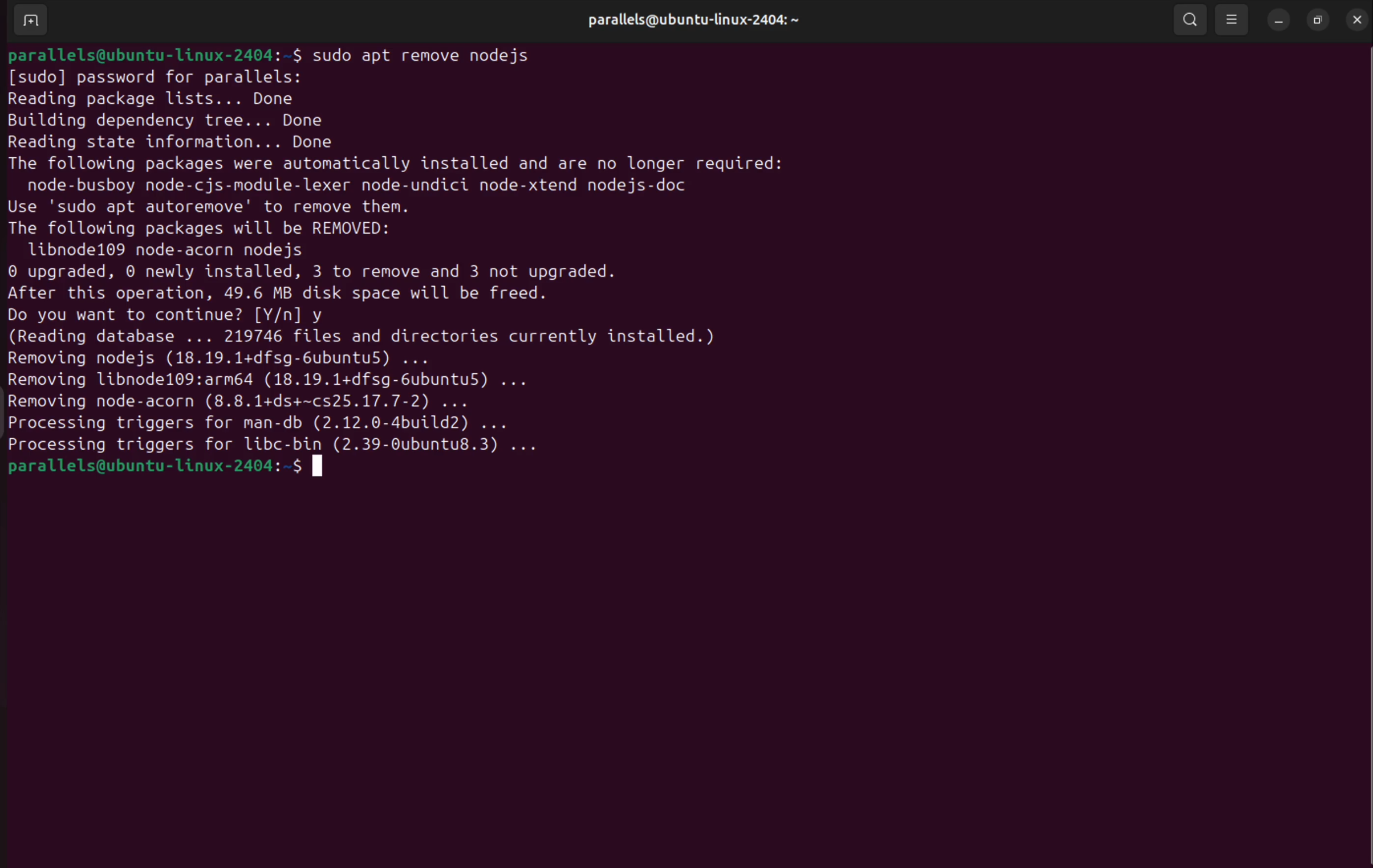 Image resolution: width=1373 pixels, height=868 pixels. Describe the element at coordinates (1191, 20) in the screenshot. I see `search` at that location.